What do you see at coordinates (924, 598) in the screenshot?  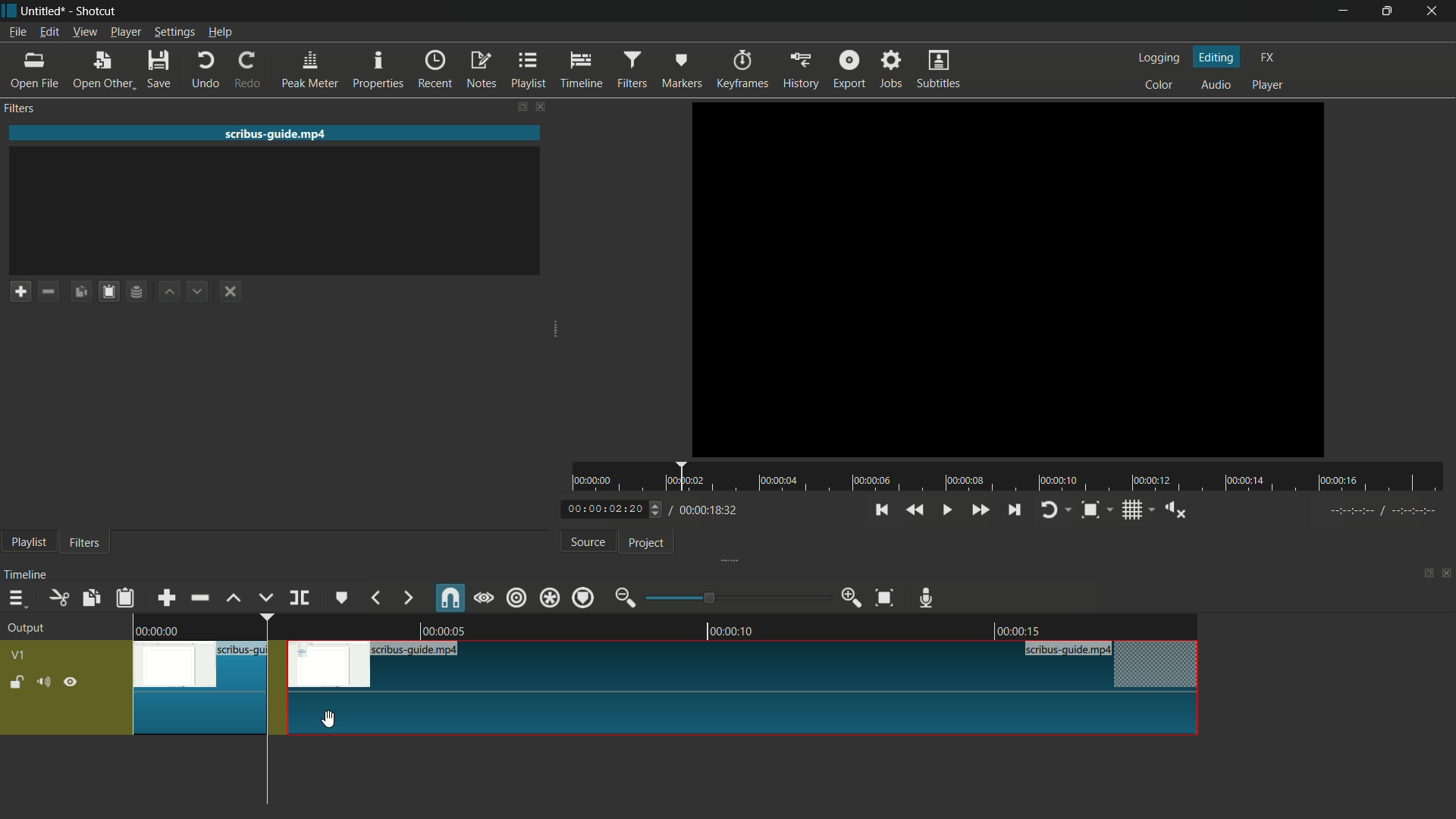 I see `record audio` at bounding box center [924, 598].